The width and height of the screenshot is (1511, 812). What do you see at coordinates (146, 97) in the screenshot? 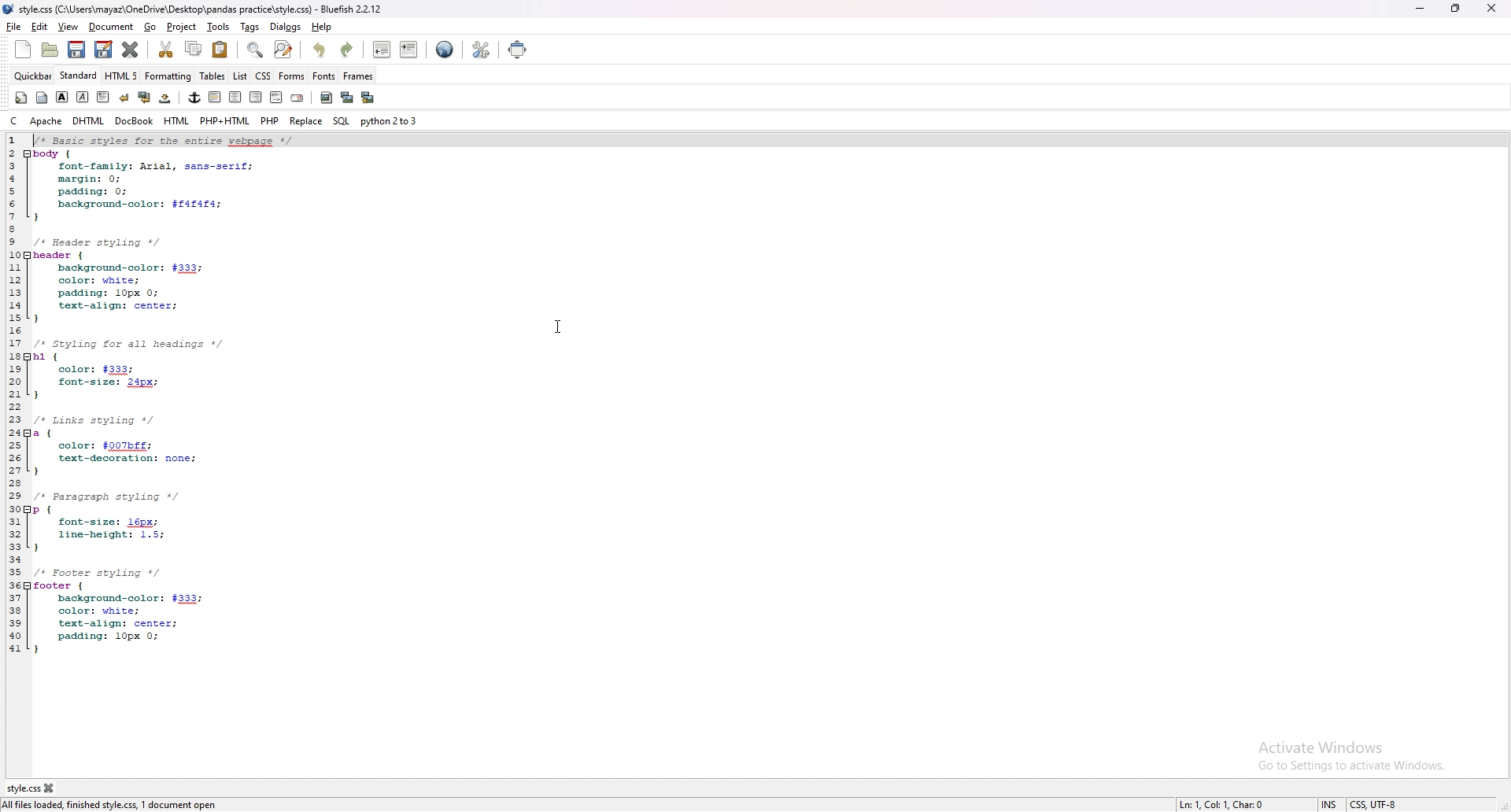
I see `break and clear` at bounding box center [146, 97].